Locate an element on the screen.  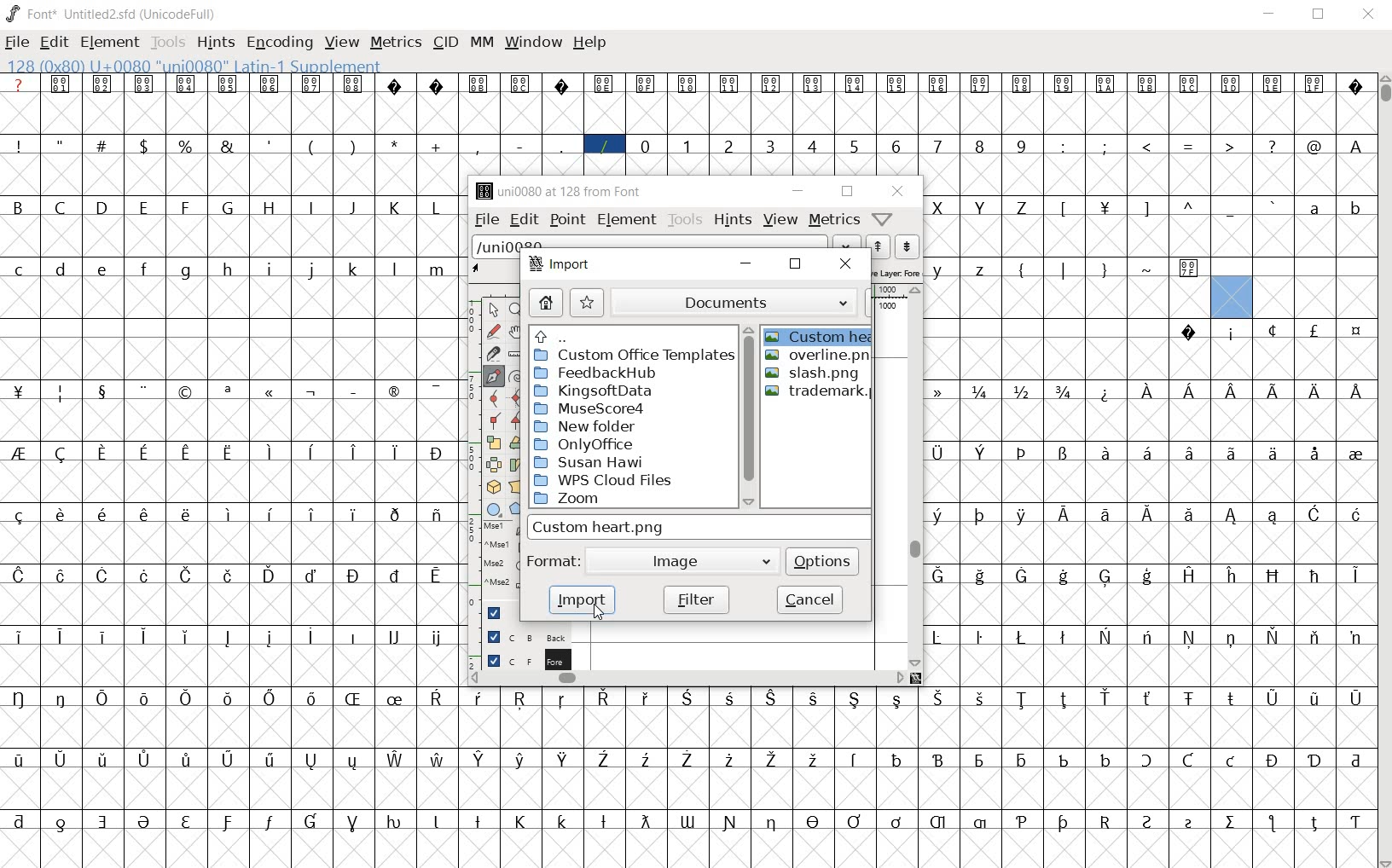
glyph is located at coordinates (937, 391).